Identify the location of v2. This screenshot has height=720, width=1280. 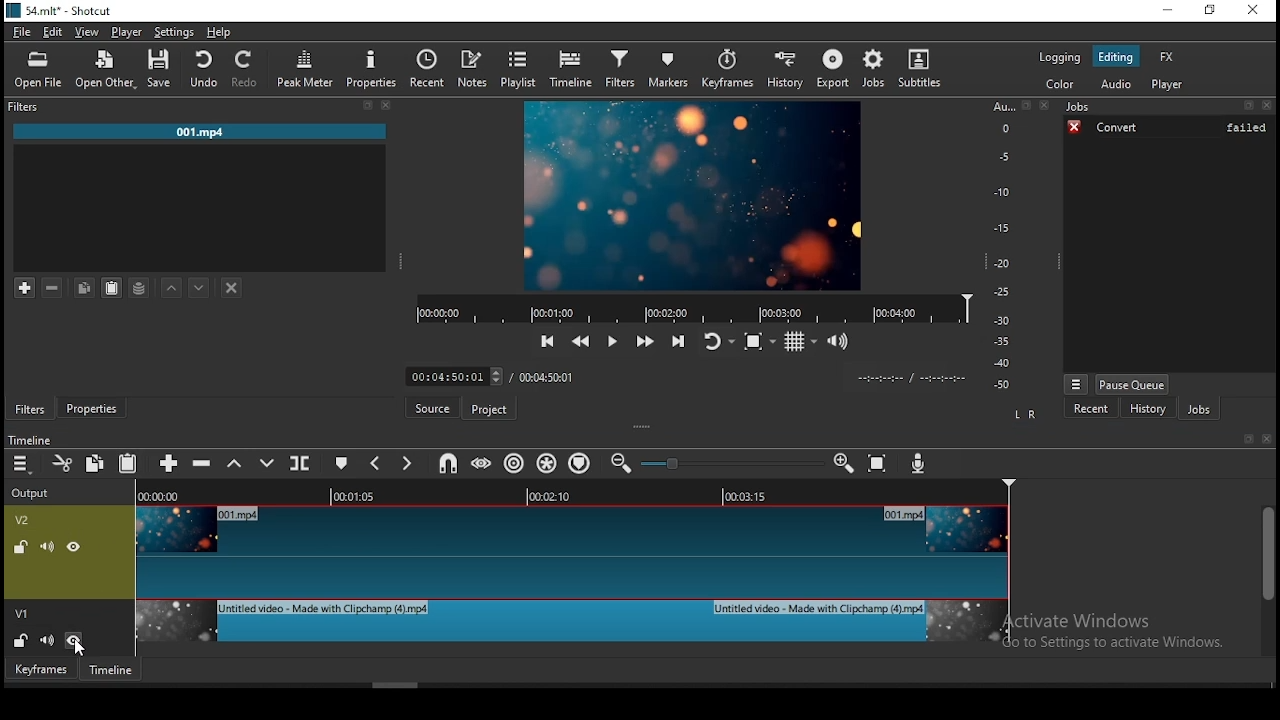
(23, 521).